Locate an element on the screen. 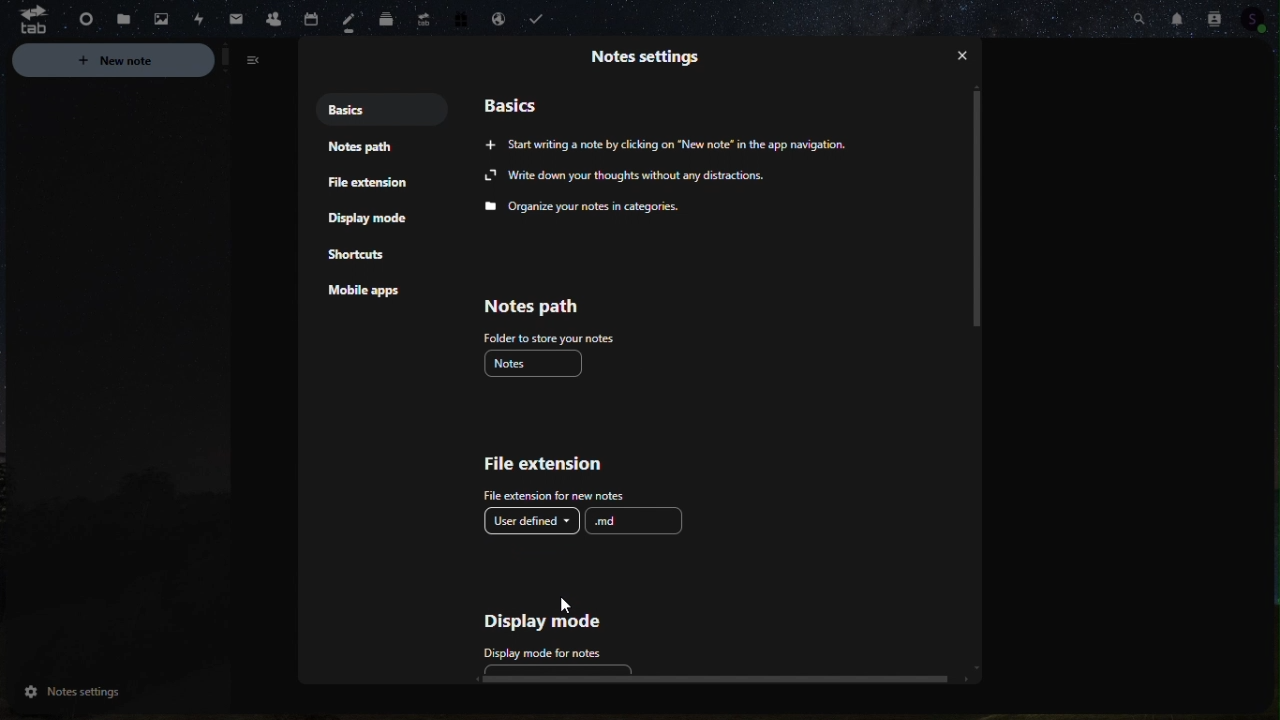 The image size is (1280, 720). Notes path is located at coordinates (563, 318).